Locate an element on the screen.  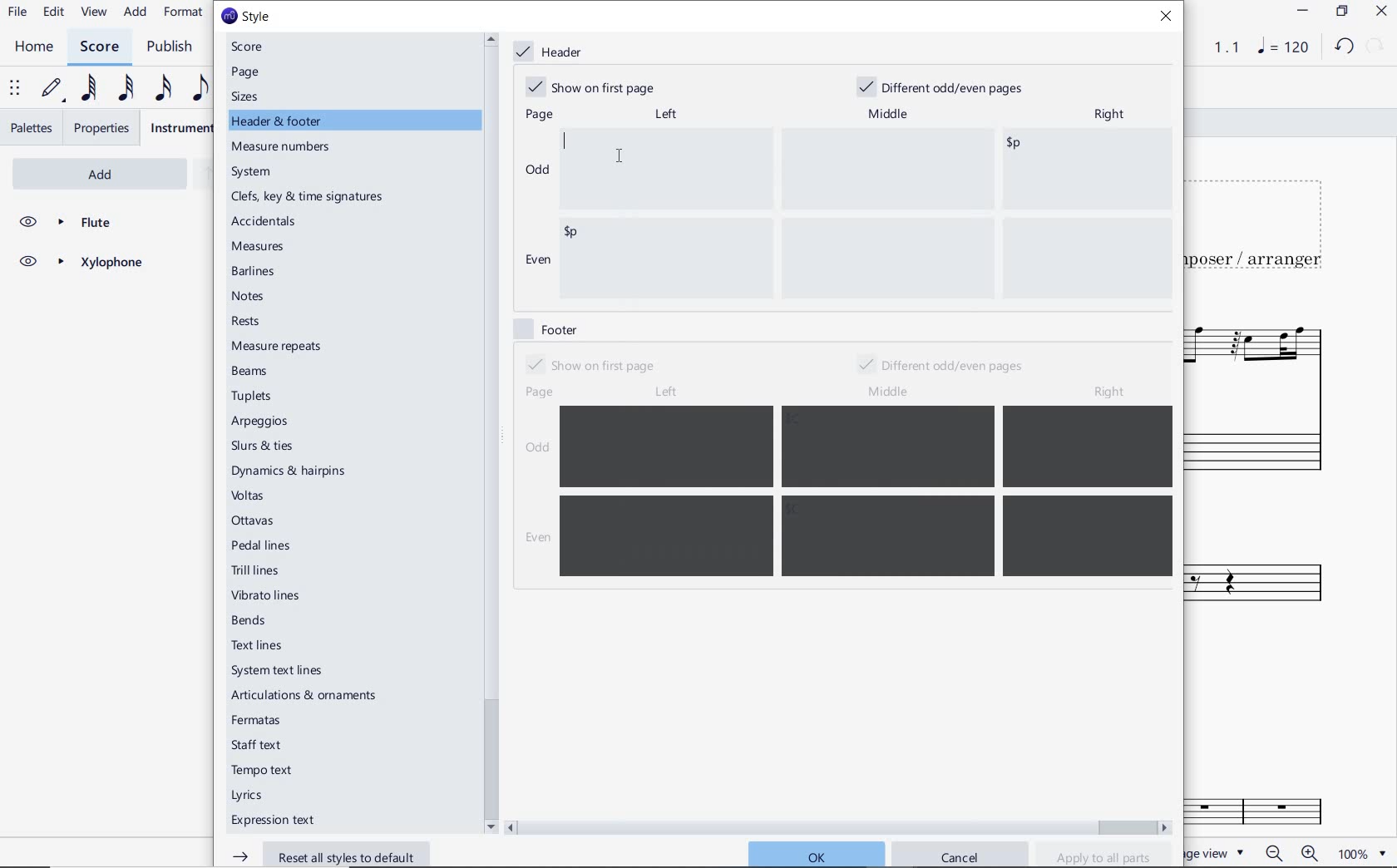
apply to all parts is located at coordinates (1104, 856).